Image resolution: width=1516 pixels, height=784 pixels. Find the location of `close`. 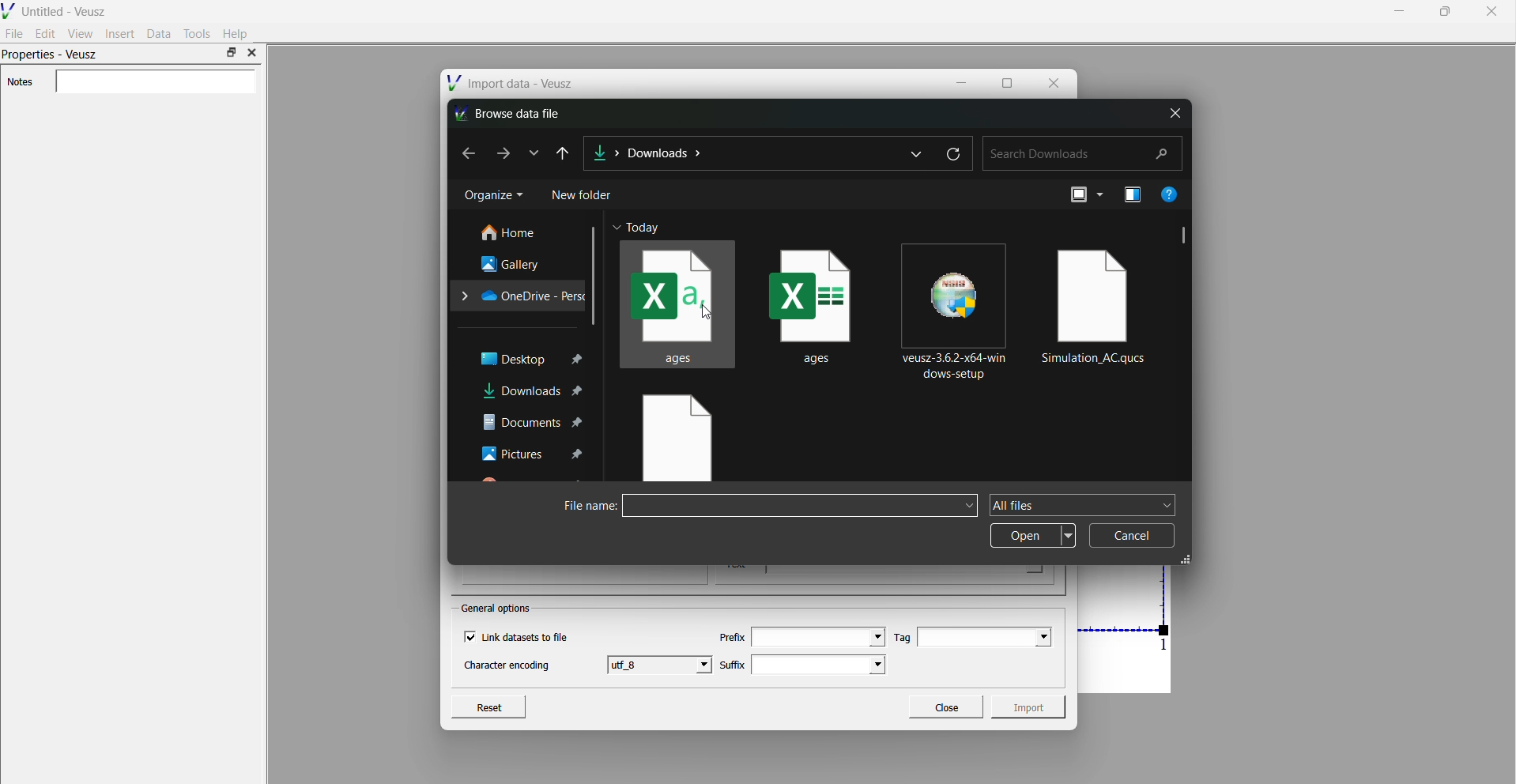

close is located at coordinates (251, 53).